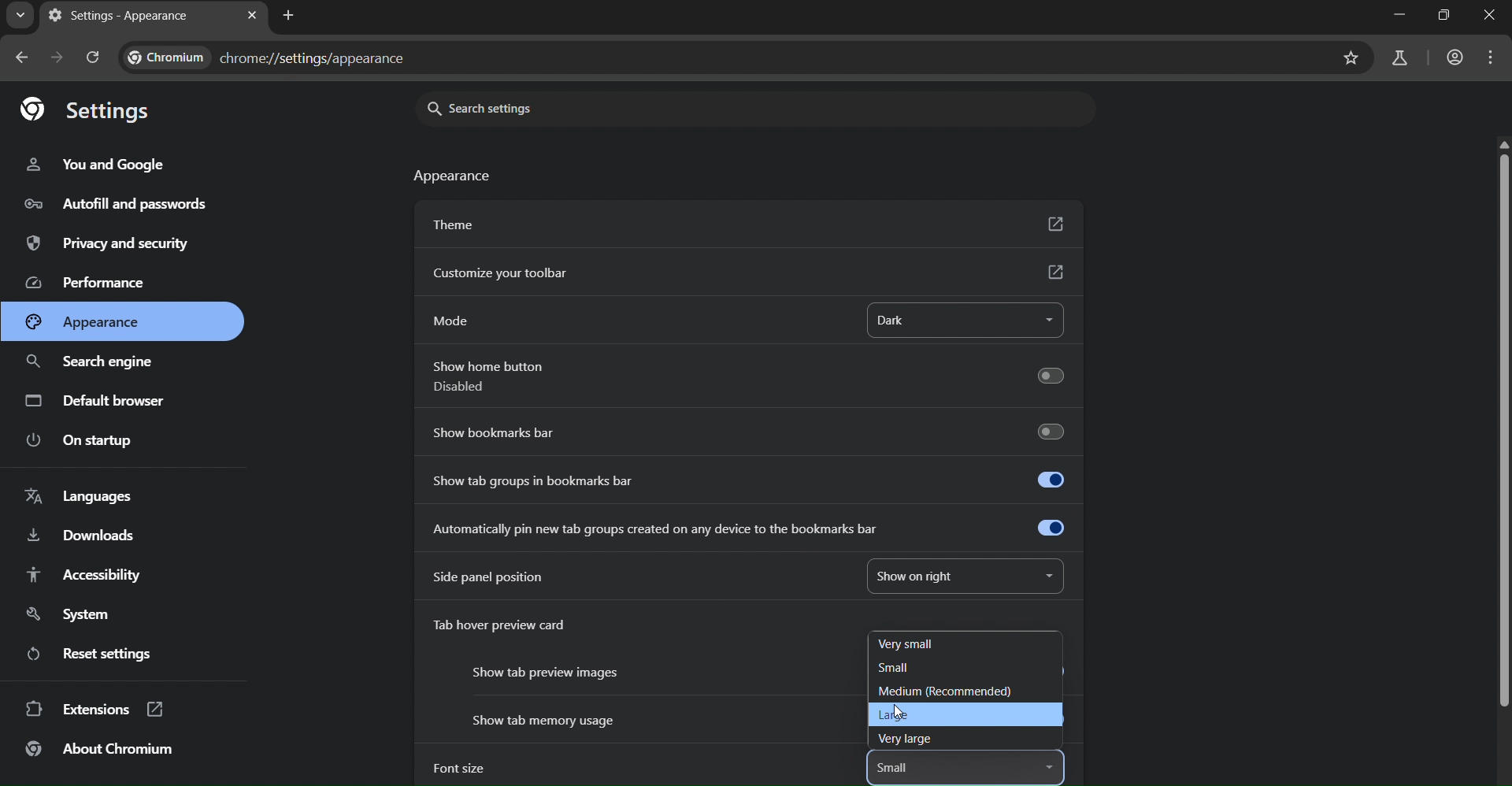  I want to click on bookmark page, so click(1350, 59).